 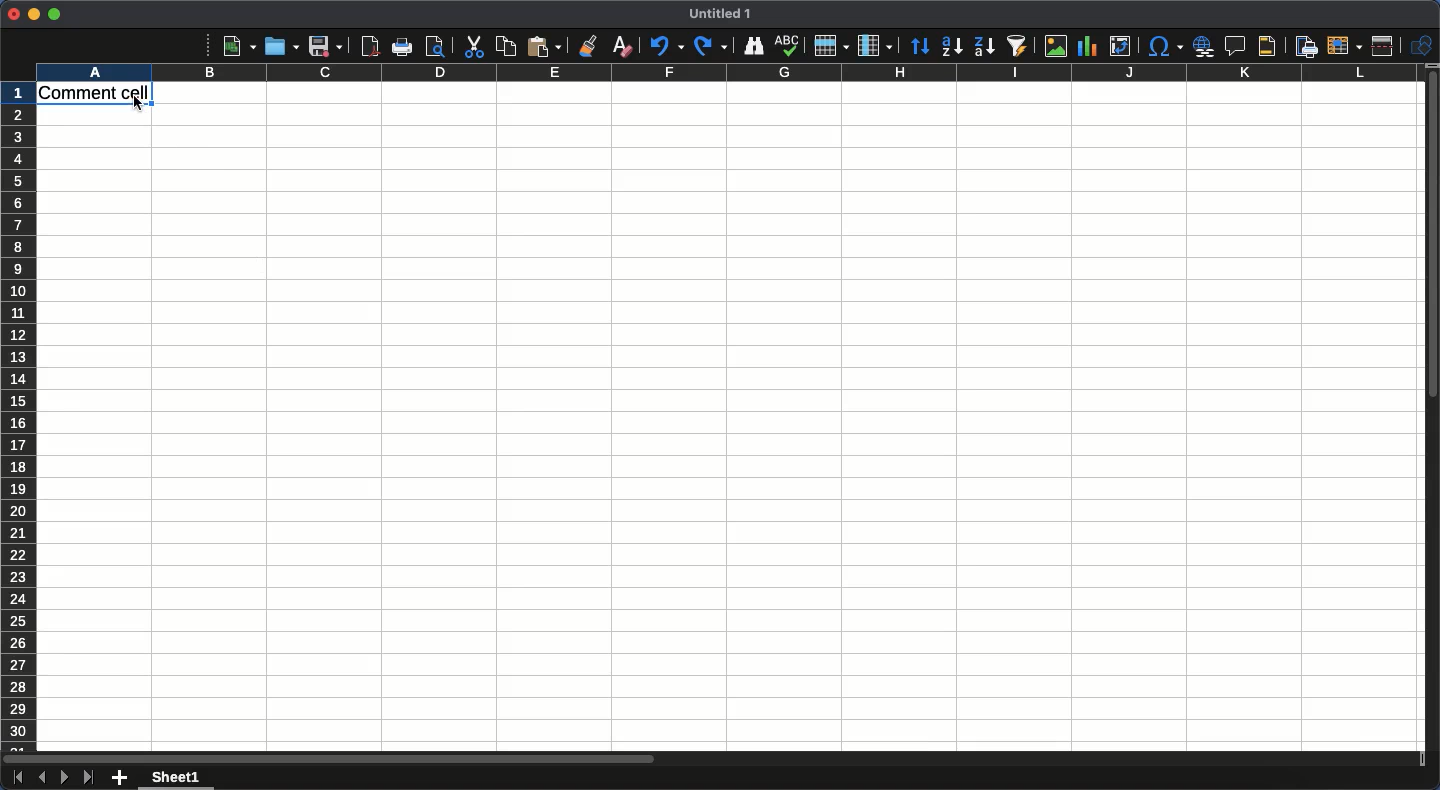 What do you see at coordinates (587, 44) in the screenshot?
I see `Clone formatting` at bounding box center [587, 44].